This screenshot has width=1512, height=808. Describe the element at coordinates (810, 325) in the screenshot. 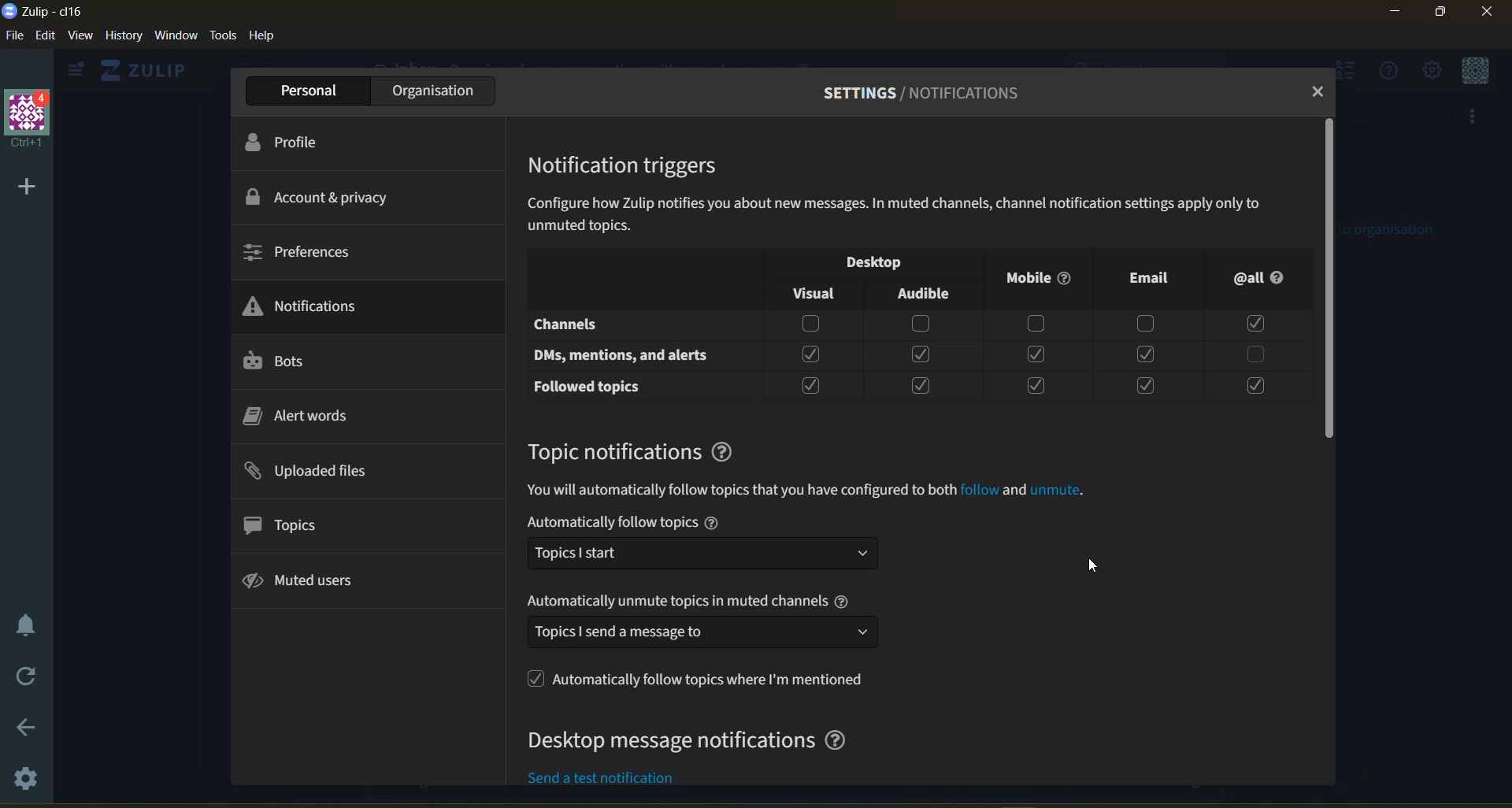

I see `Checkbox` at that location.